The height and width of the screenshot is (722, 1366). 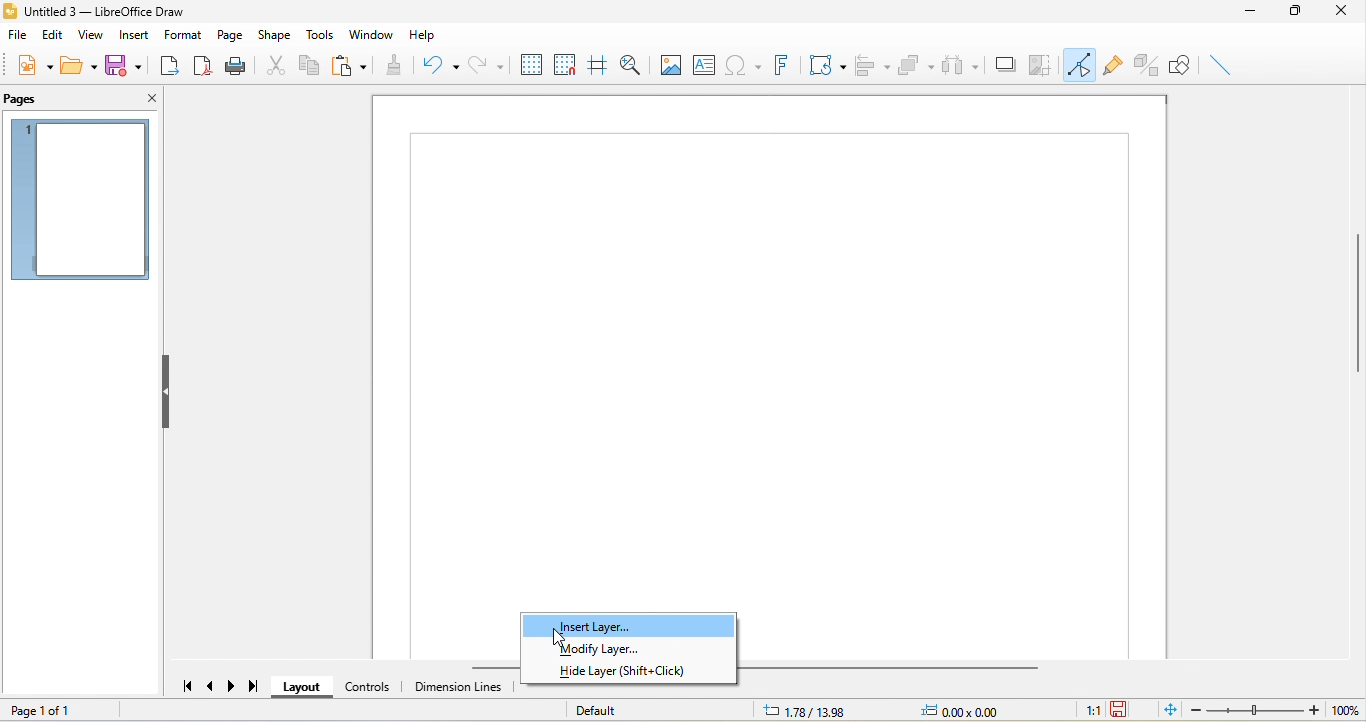 What do you see at coordinates (670, 67) in the screenshot?
I see `image` at bounding box center [670, 67].